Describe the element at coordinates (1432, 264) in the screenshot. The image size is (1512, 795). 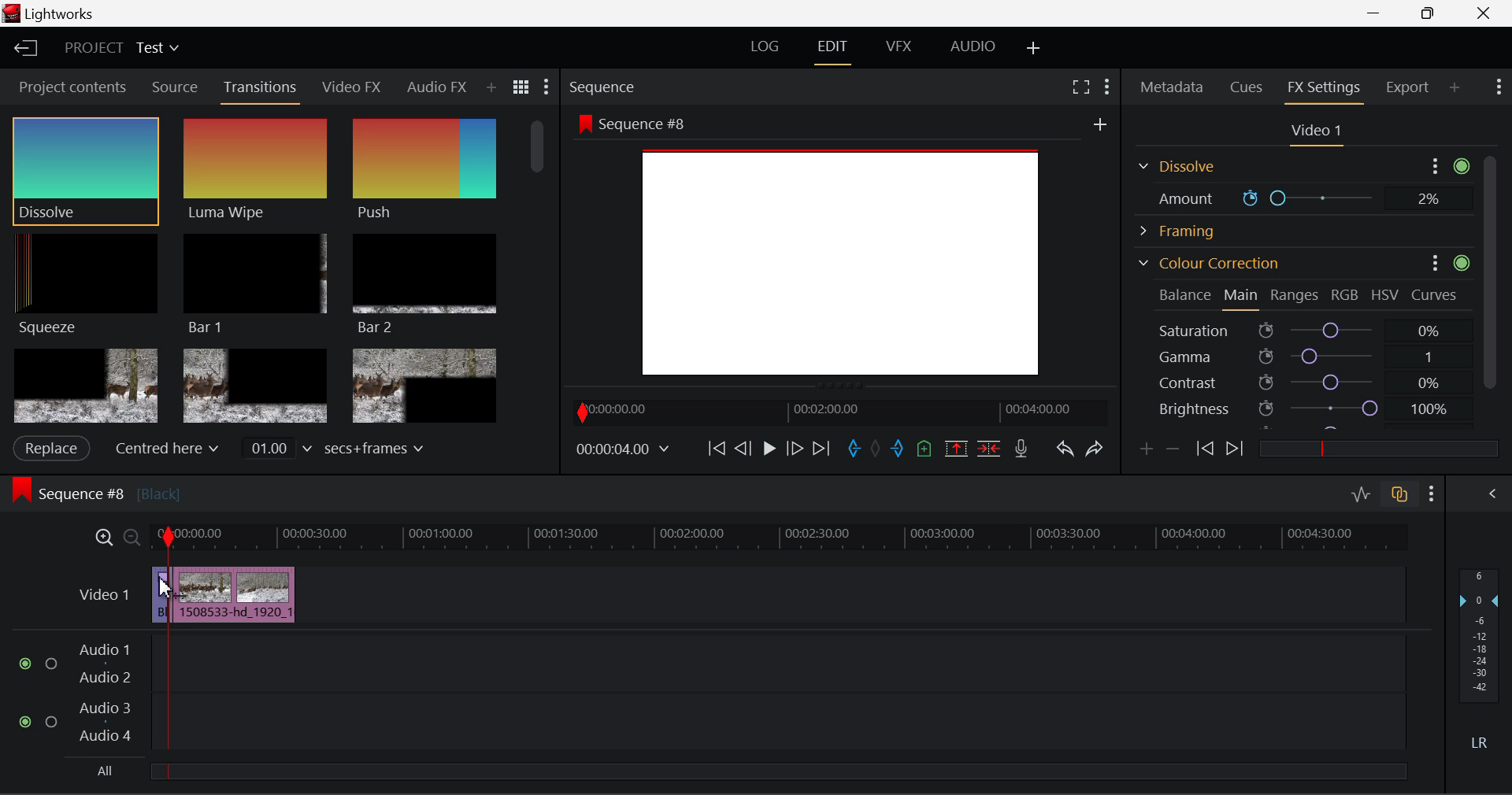
I see `Options` at that location.